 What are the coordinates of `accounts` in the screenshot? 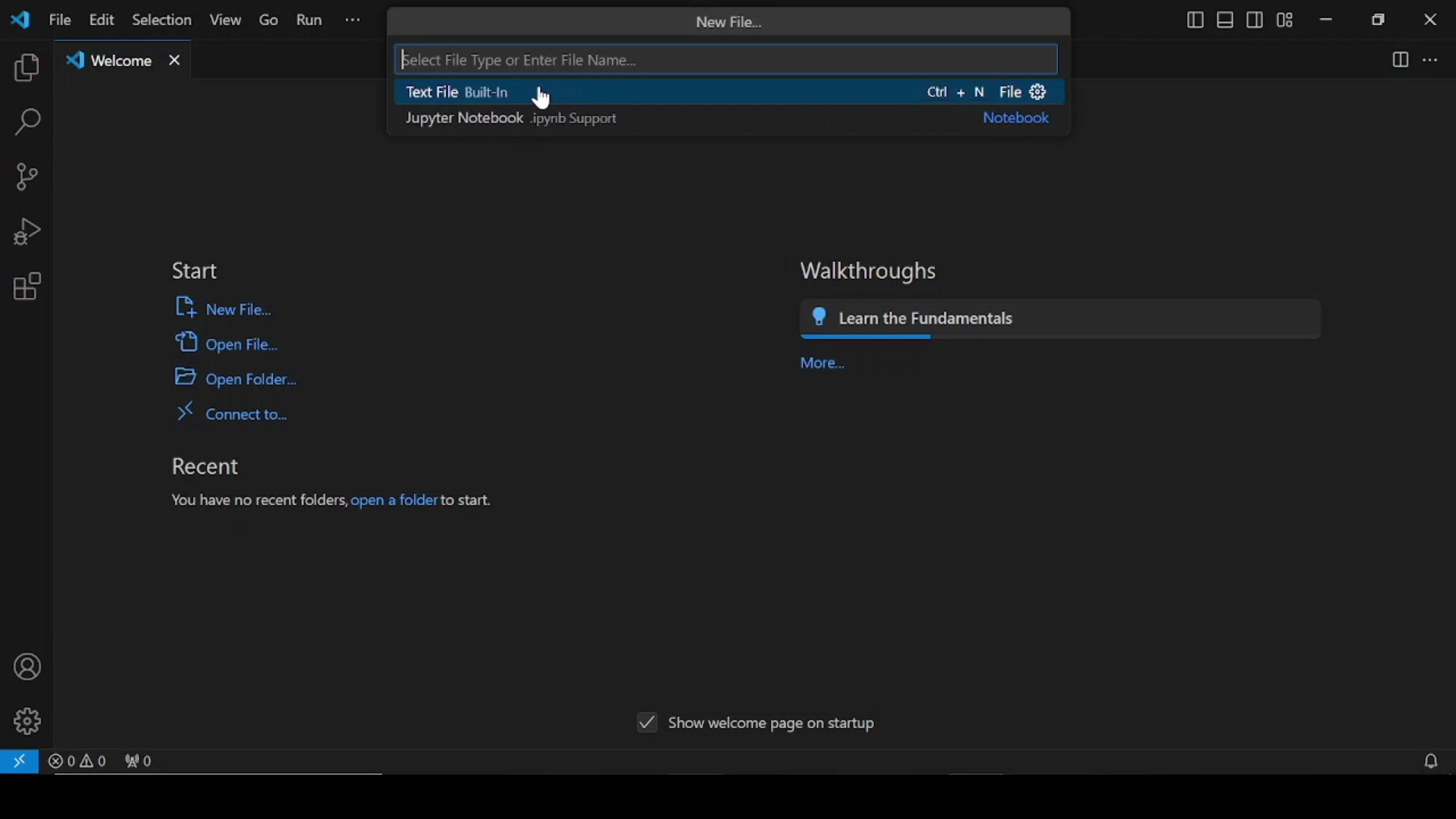 It's located at (27, 668).